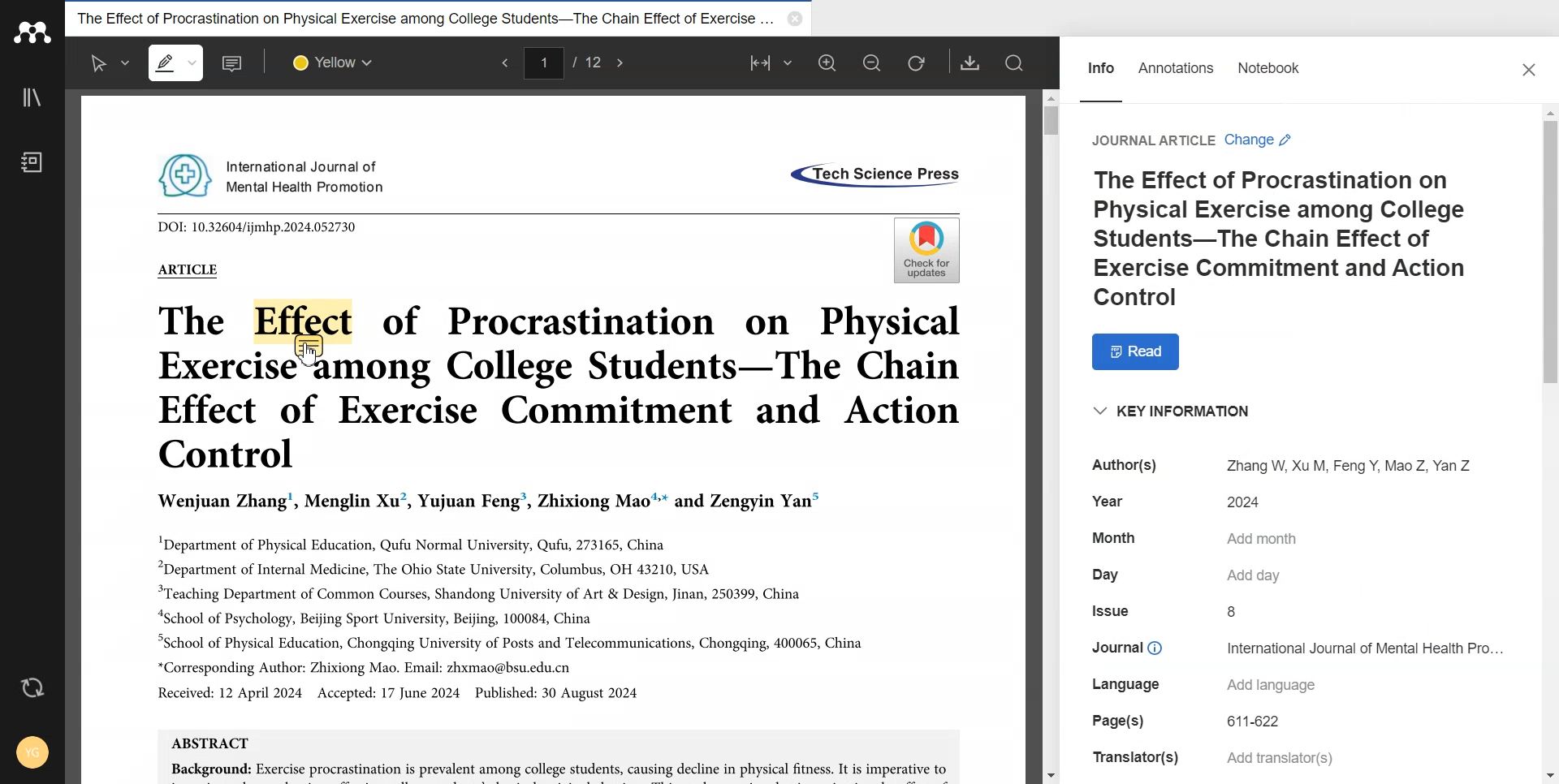 The width and height of the screenshot is (1559, 784). I want to click on Refresh, so click(916, 62).